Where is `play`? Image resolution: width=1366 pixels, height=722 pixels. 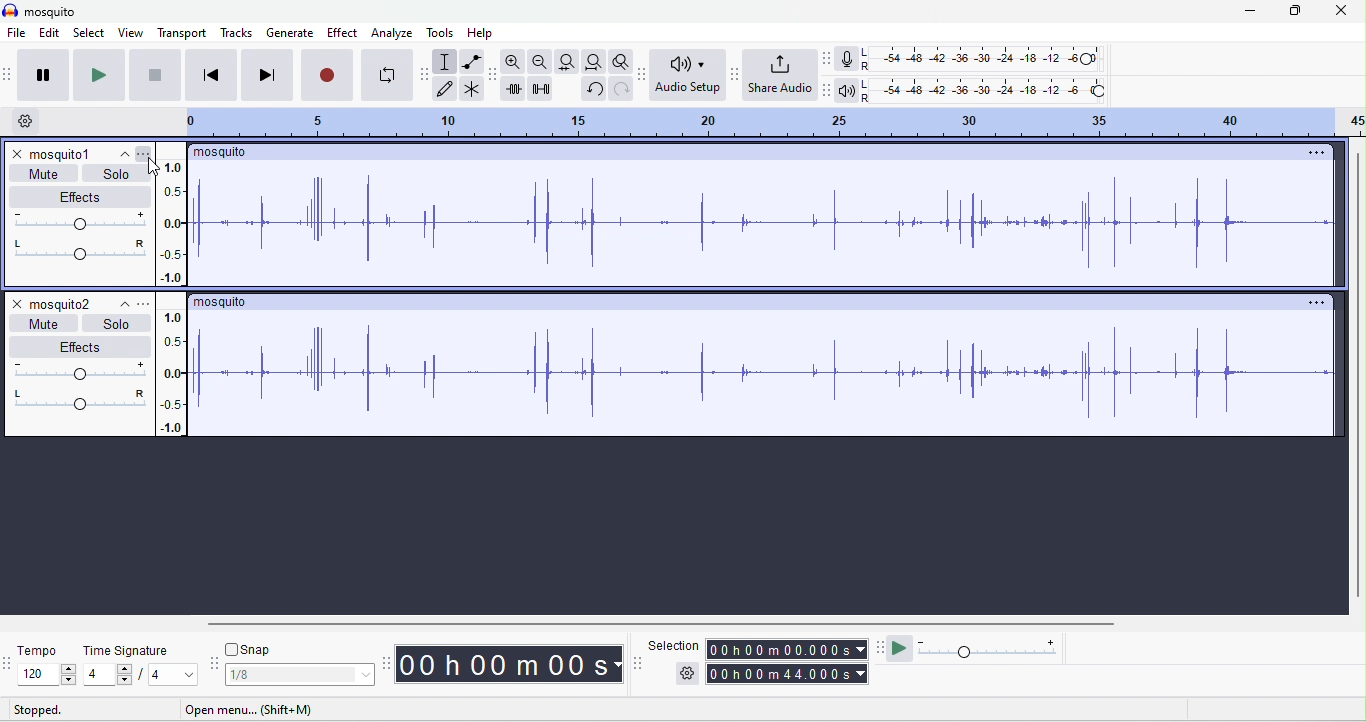 play is located at coordinates (97, 74).